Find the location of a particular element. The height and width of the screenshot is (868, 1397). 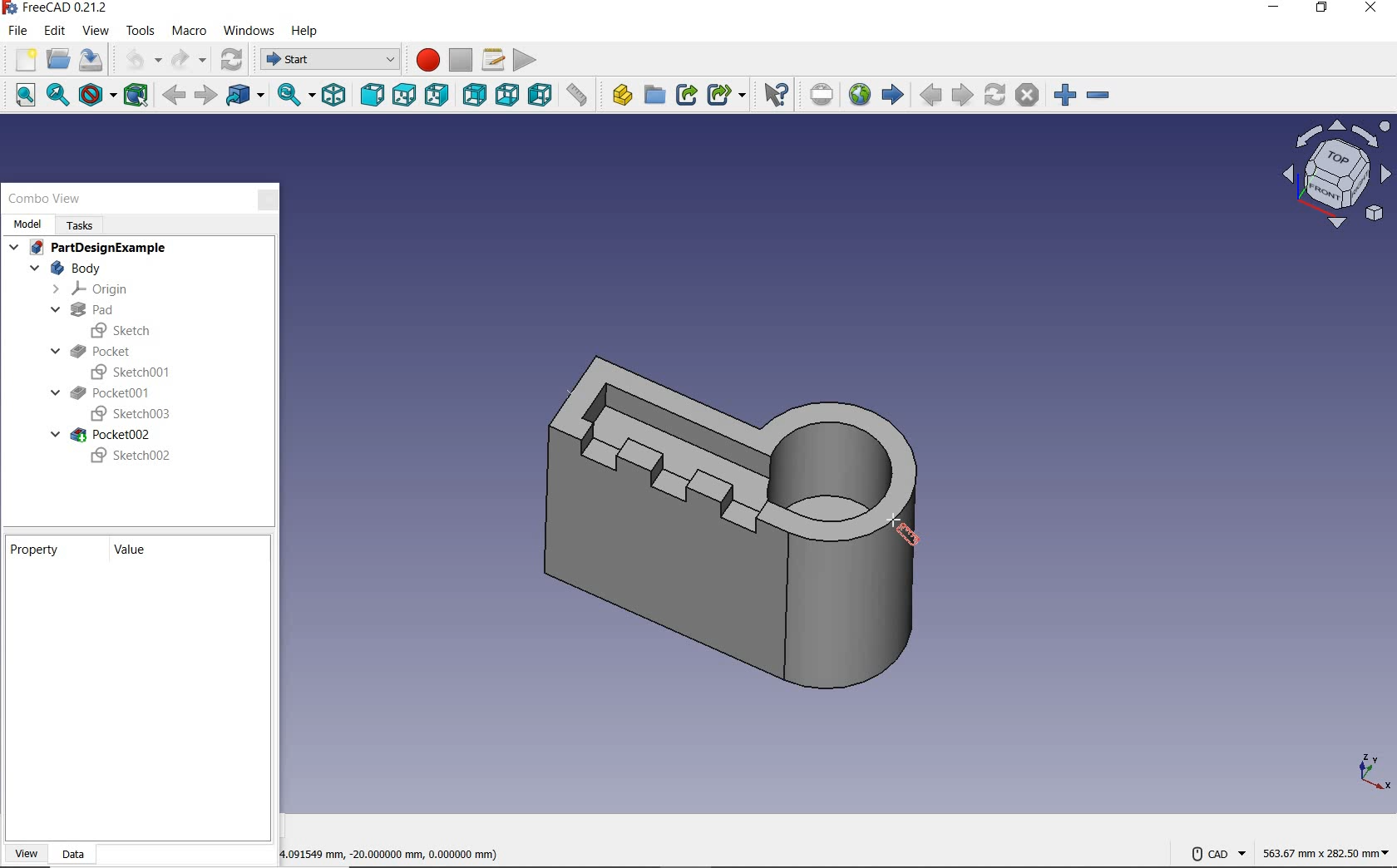

back is located at coordinates (175, 96).